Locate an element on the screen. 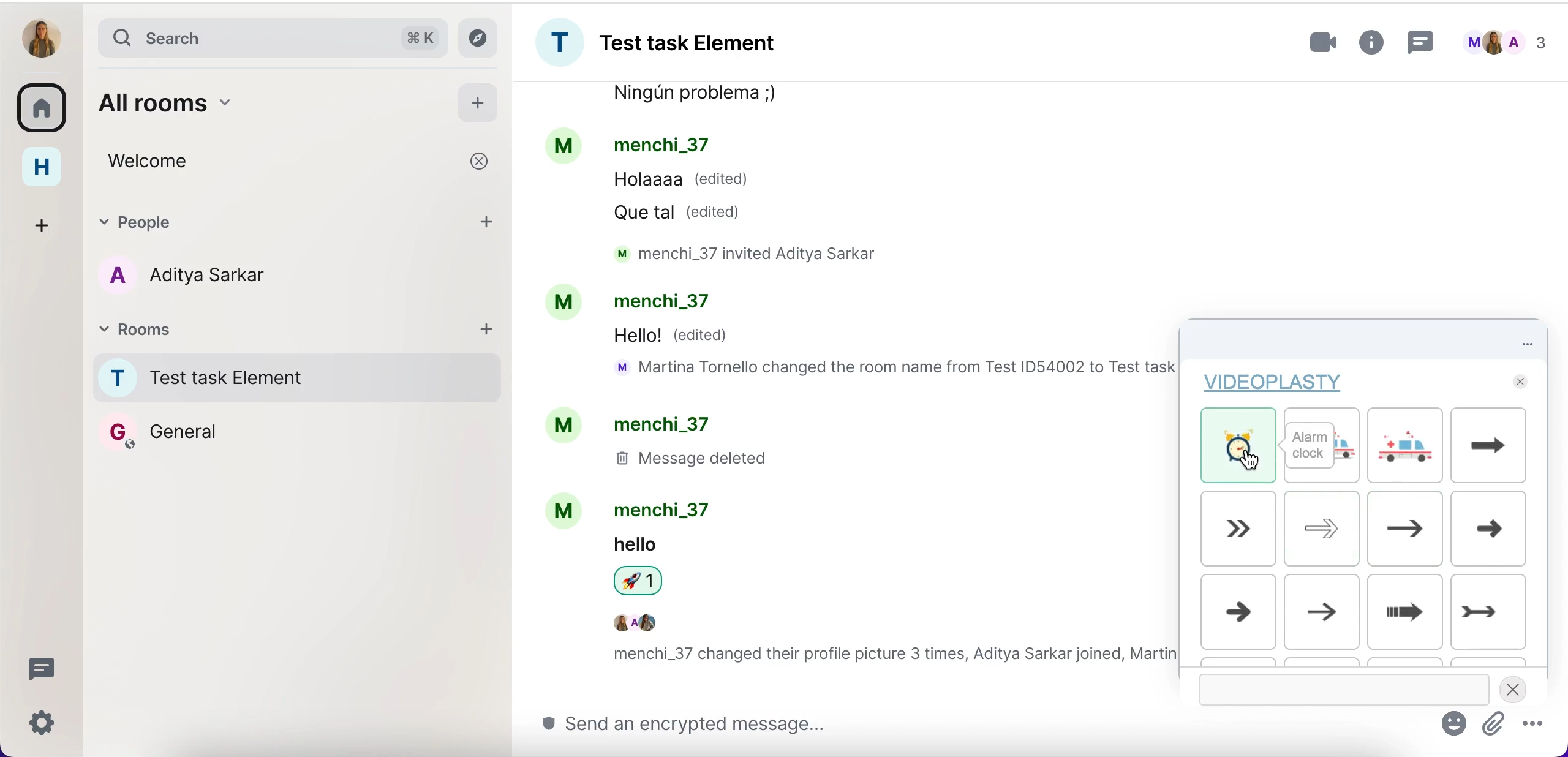 Image resolution: width=1568 pixels, height=757 pixels. gif12 is located at coordinates (1489, 611).